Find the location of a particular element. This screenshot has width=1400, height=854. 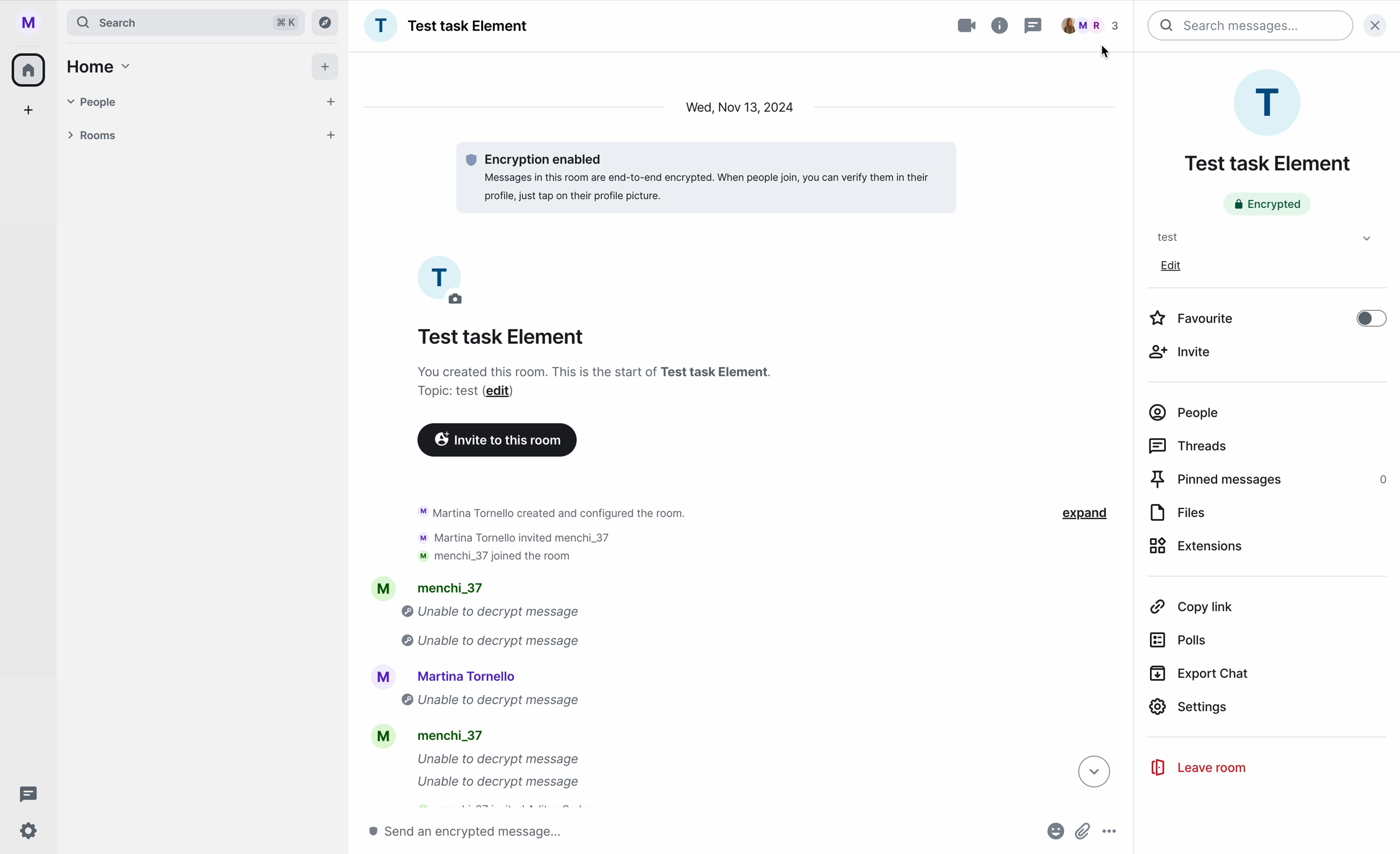

search bar is located at coordinates (186, 22).